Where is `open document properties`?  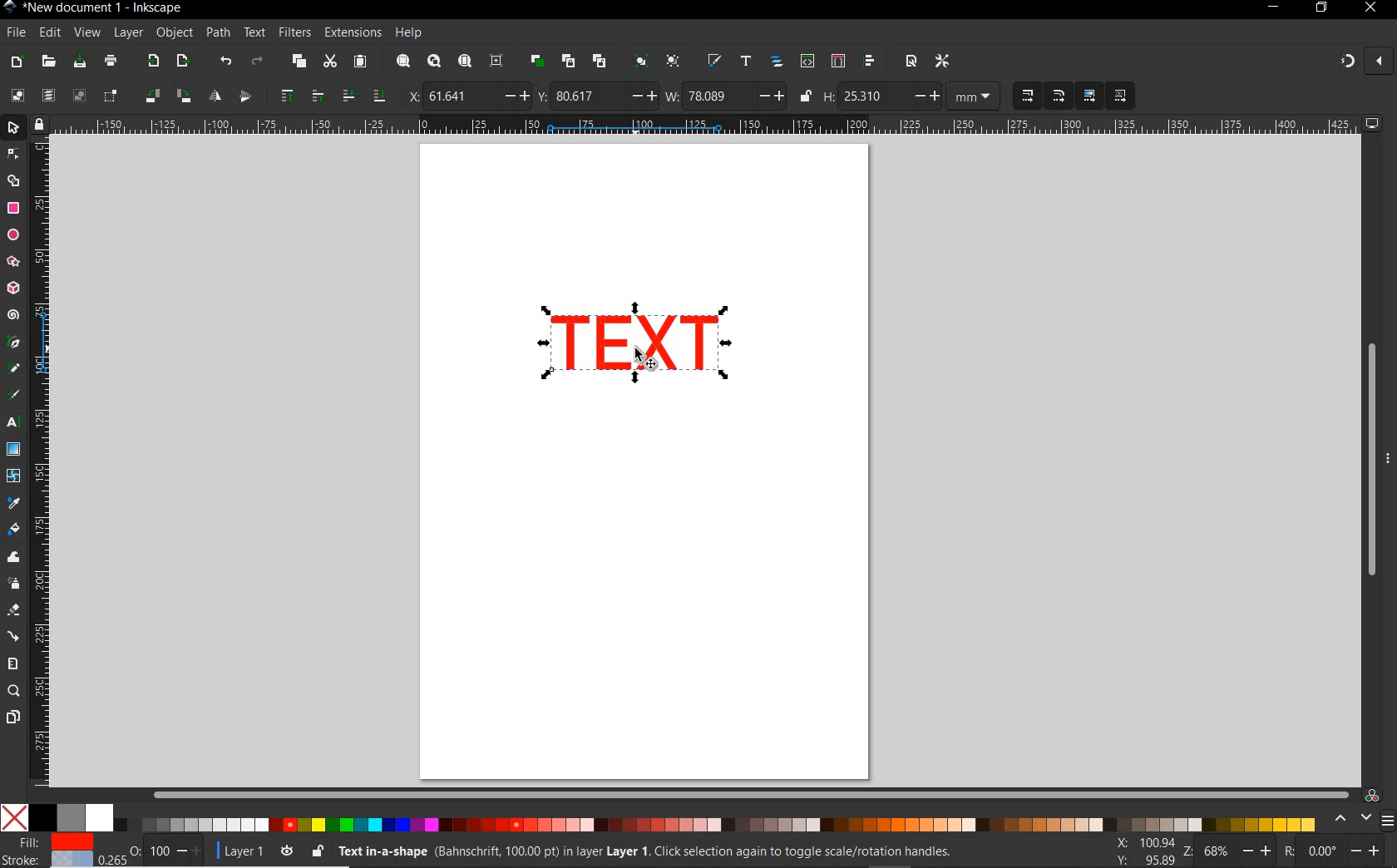
open document properties is located at coordinates (911, 61).